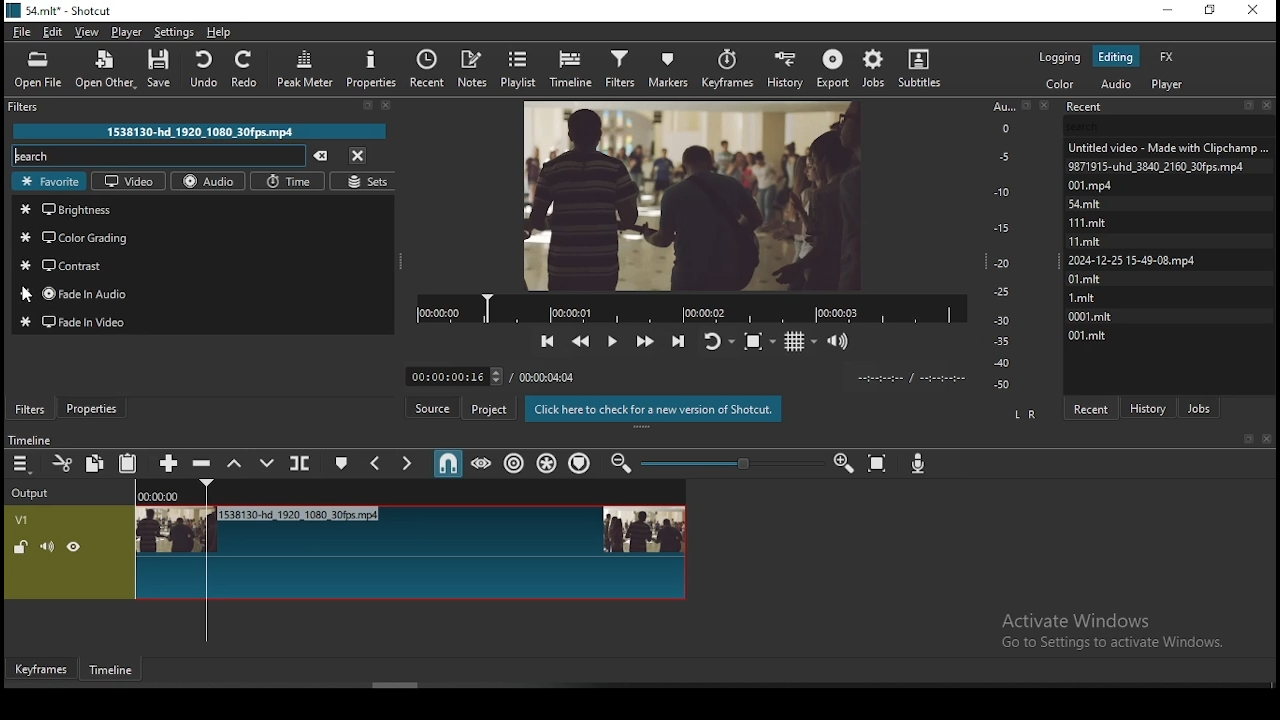  Describe the element at coordinates (674, 66) in the screenshot. I see `markers` at that location.